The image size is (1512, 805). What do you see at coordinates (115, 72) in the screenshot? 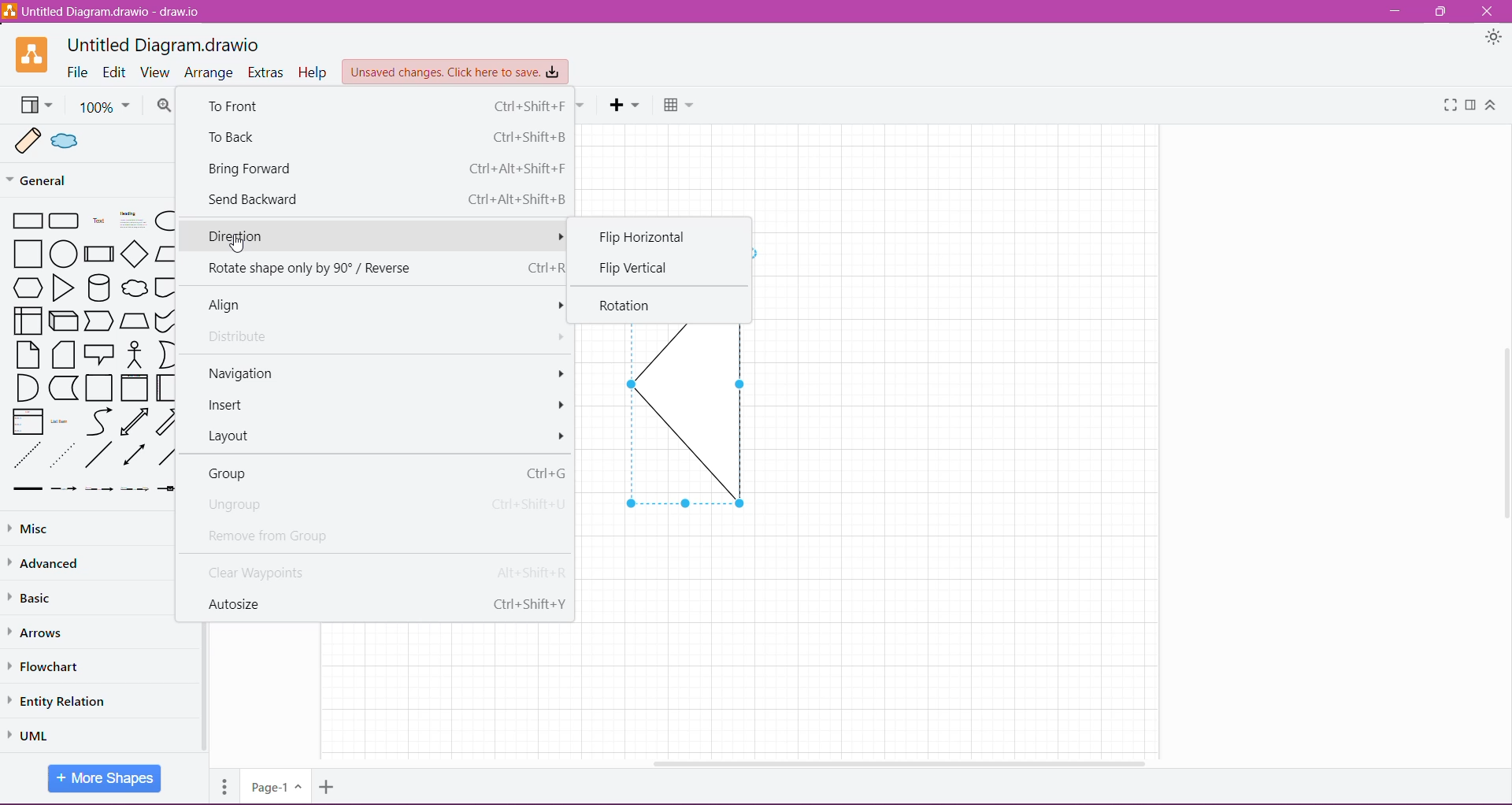
I see `Edit` at bounding box center [115, 72].